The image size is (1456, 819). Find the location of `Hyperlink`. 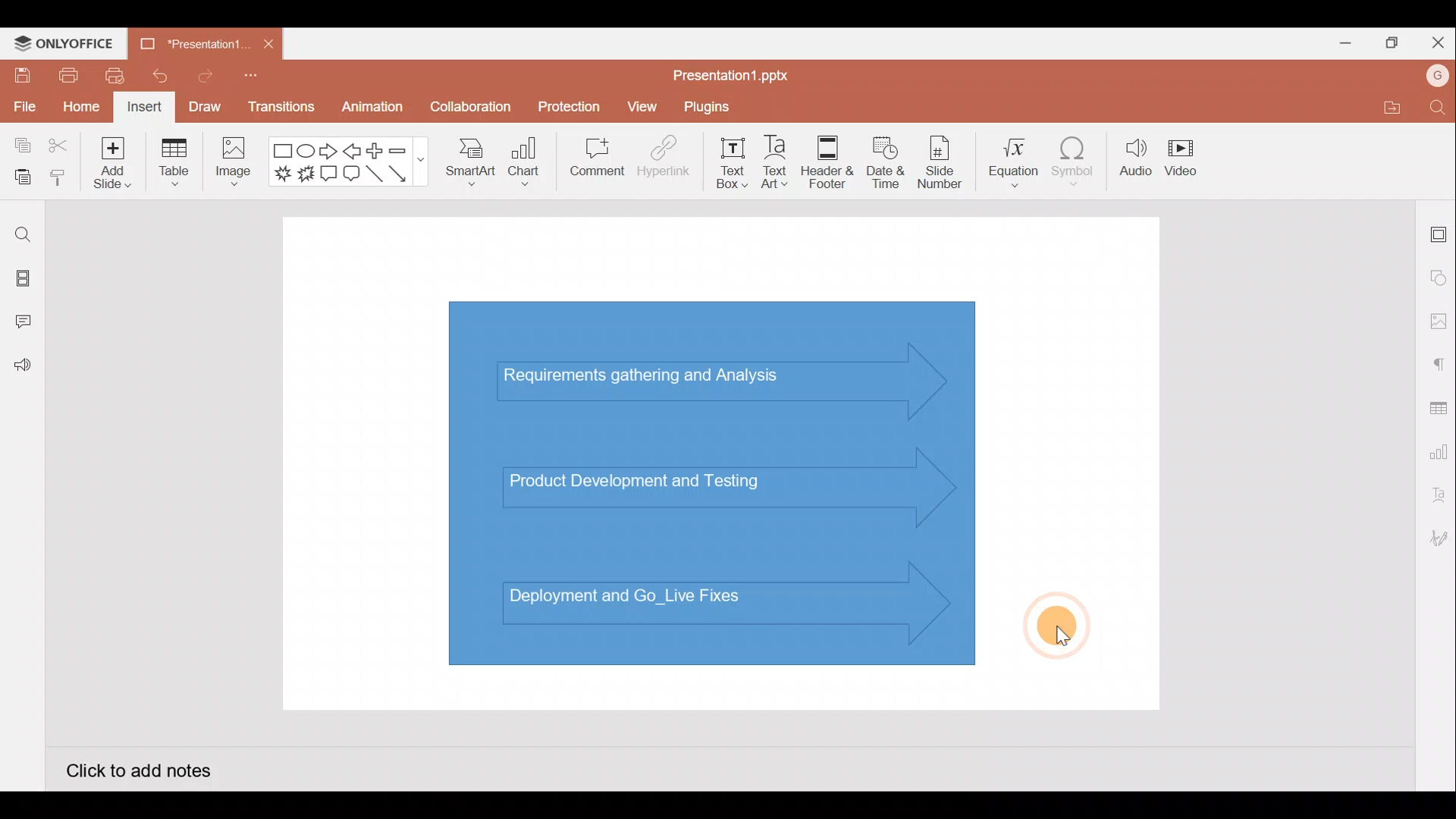

Hyperlink is located at coordinates (660, 158).